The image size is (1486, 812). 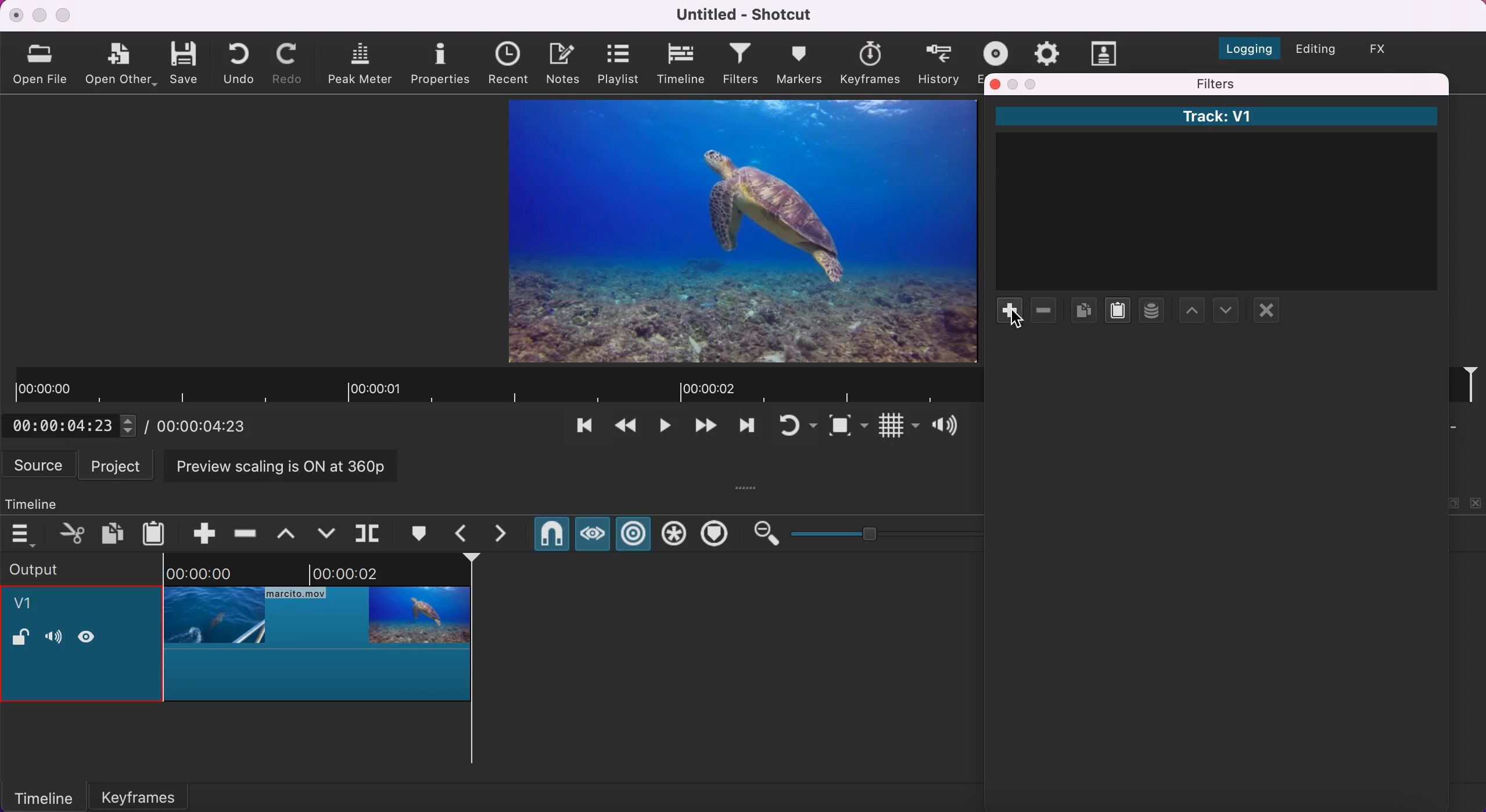 What do you see at coordinates (91, 636) in the screenshot?
I see `hide` at bounding box center [91, 636].